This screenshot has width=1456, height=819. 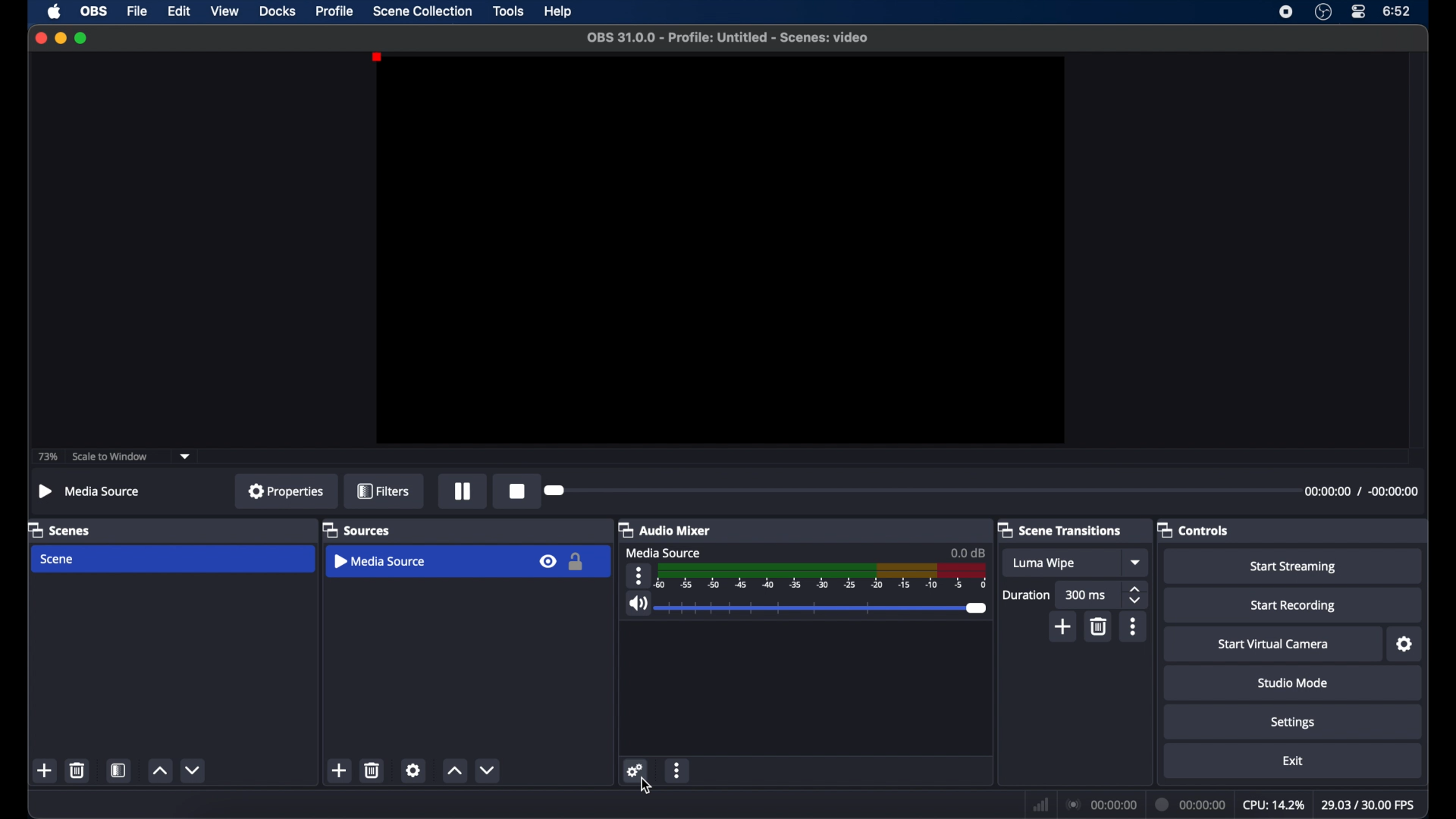 I want to click on slider, so click(x=557, y=491).